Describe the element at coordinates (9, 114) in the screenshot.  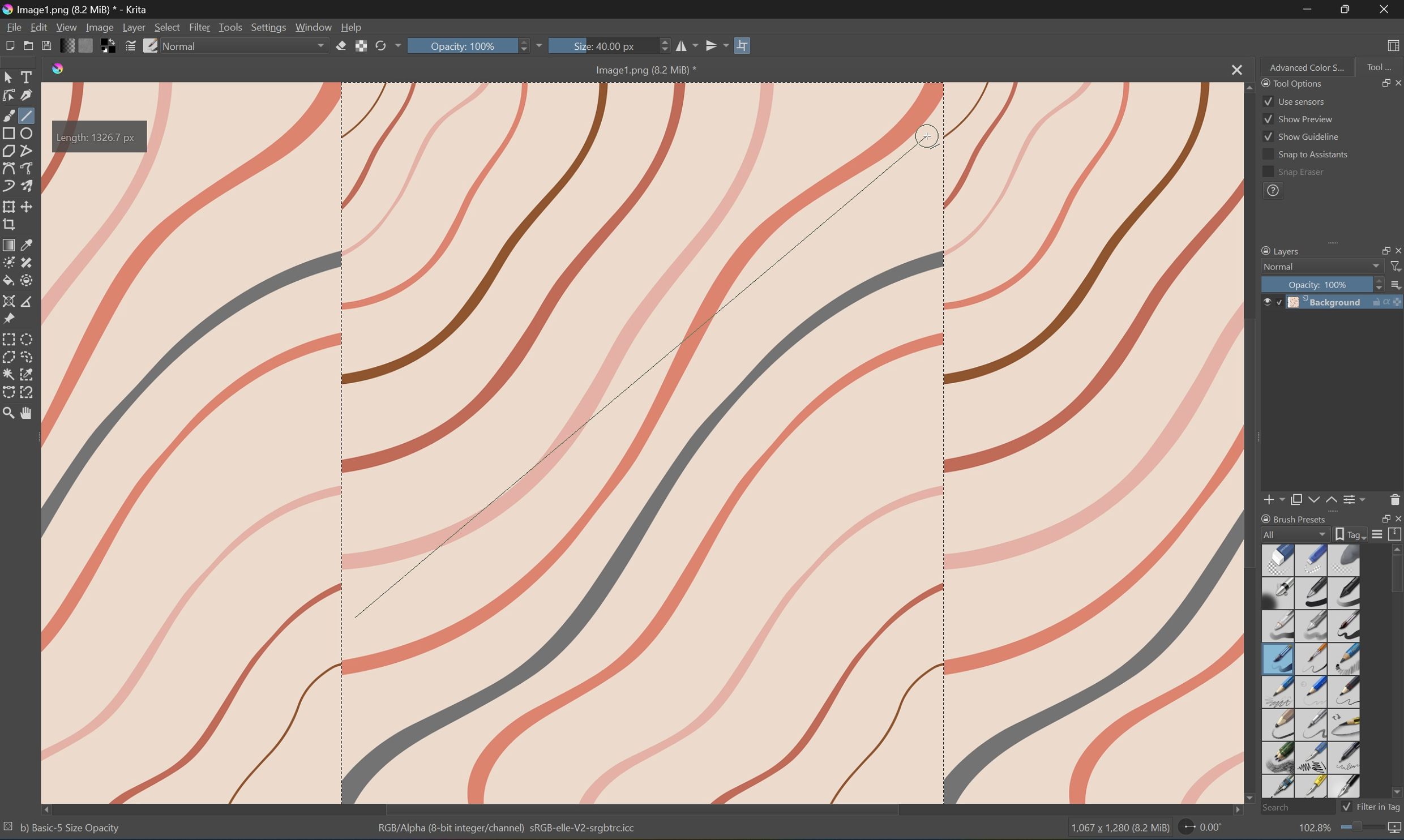
I see `Brush tool` at that location.